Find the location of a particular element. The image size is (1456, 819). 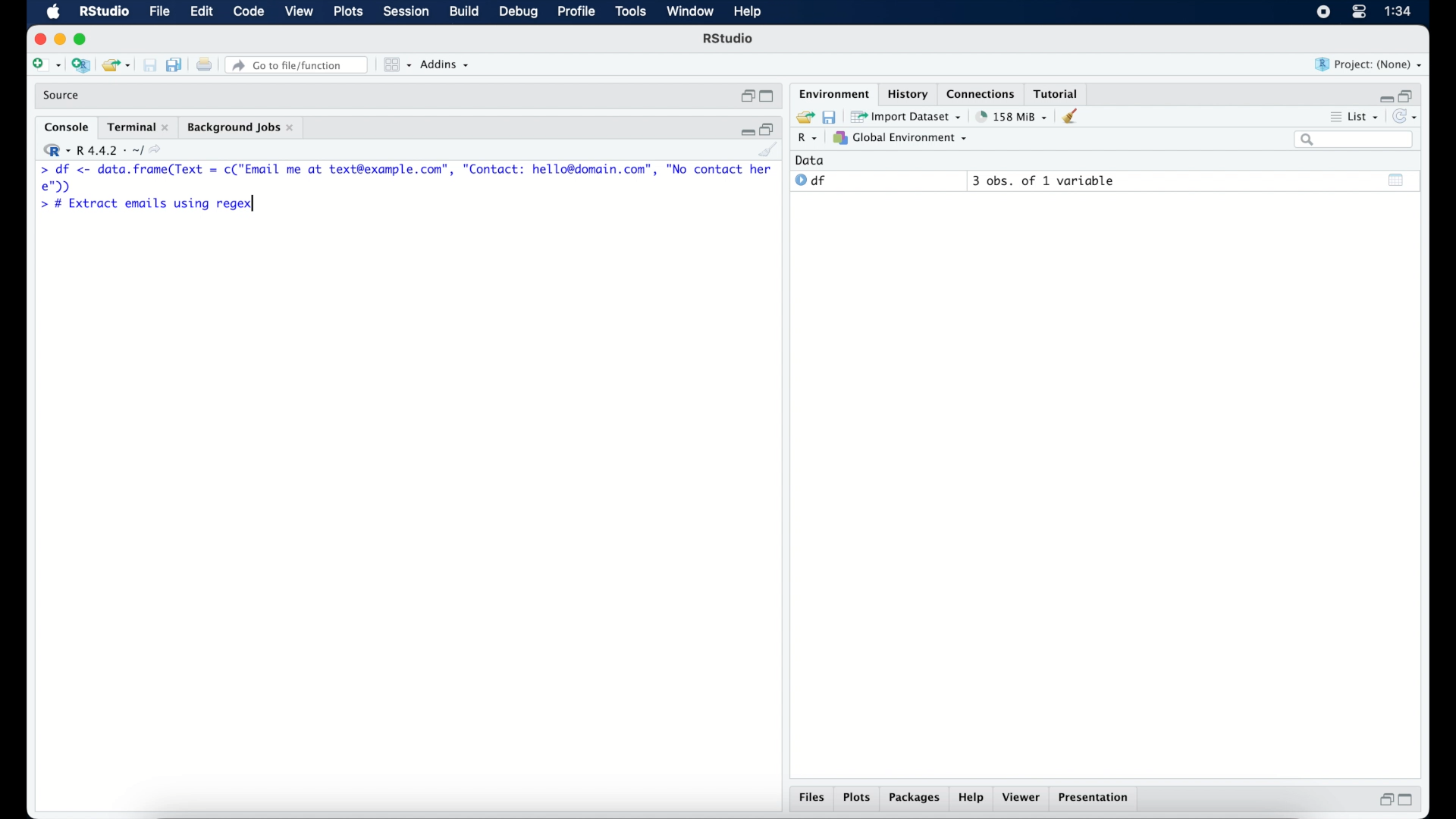

project (none) is located at coordinates (1370, 65).